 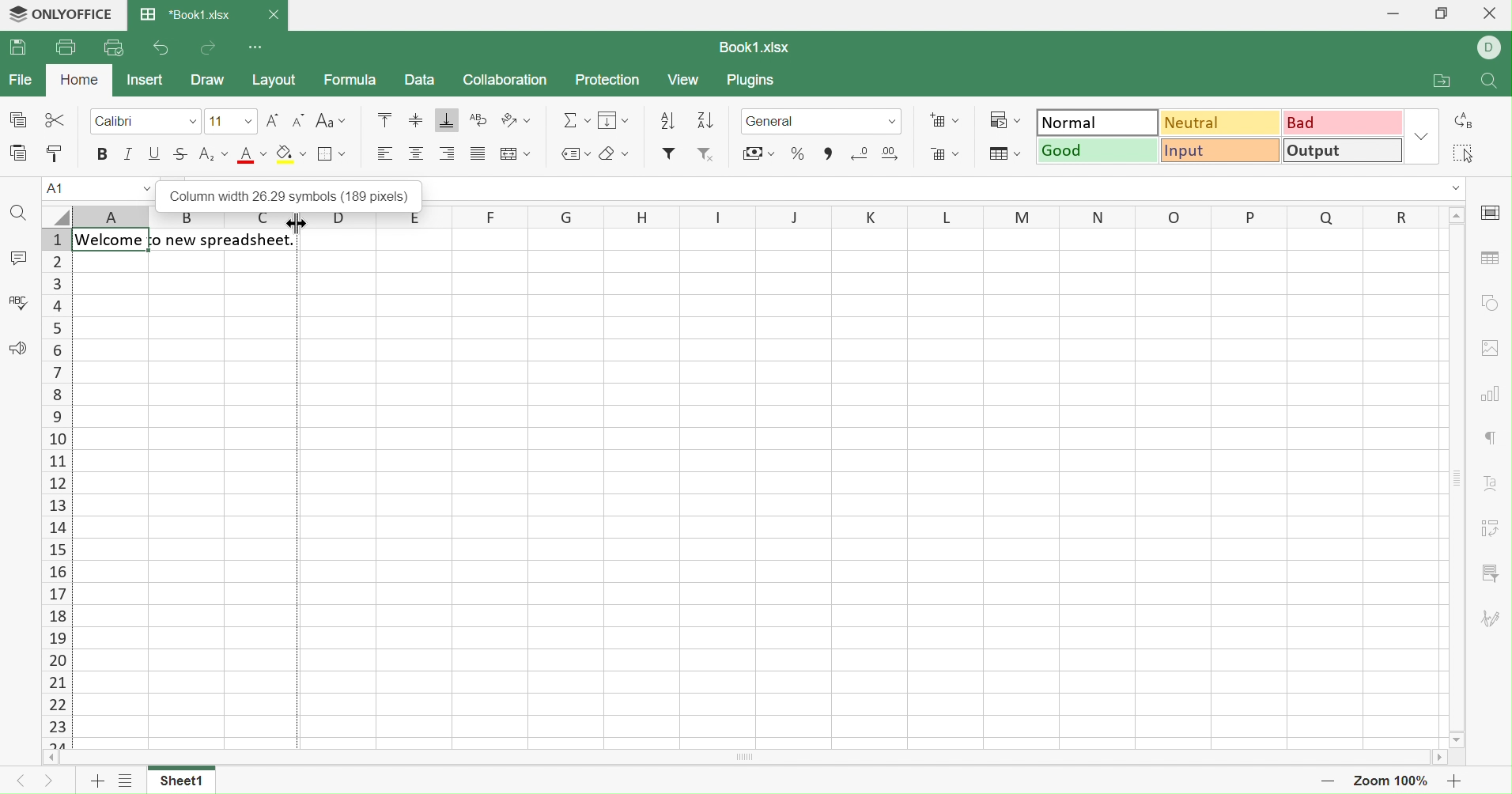 I want to click on Find, so click(x=1491, y=83).